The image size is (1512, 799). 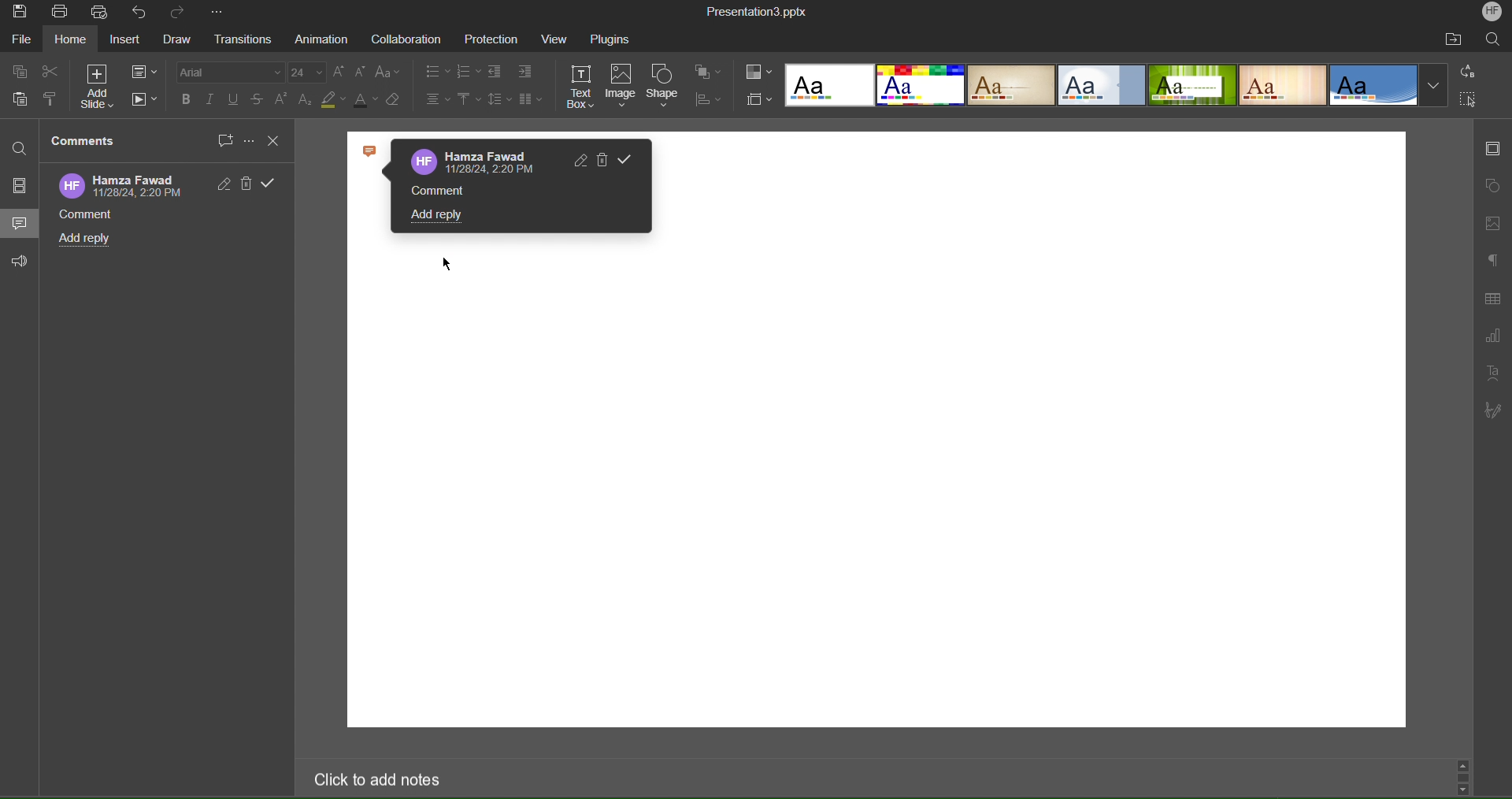 I want to click on Insert Image, so click(x=1493, y=225).